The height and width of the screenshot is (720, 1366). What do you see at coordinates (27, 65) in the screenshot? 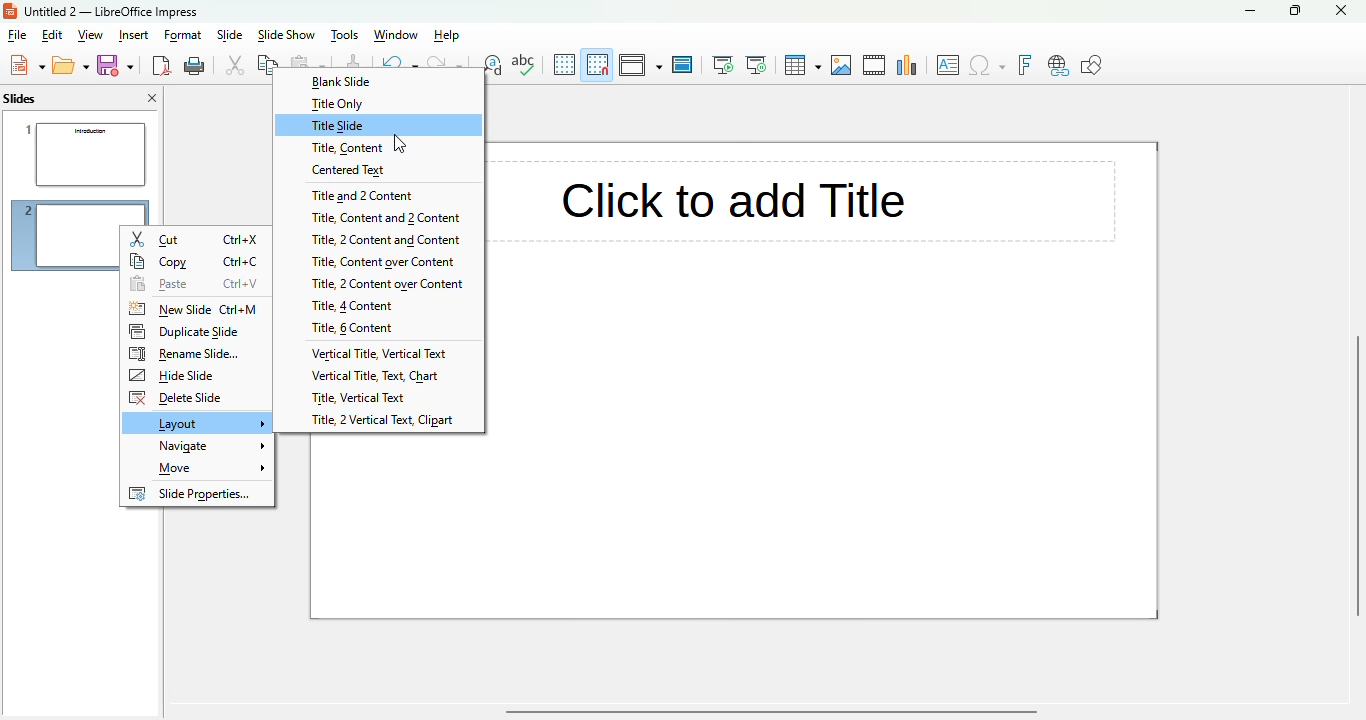
I see `new` at bounding box center [27, 65].